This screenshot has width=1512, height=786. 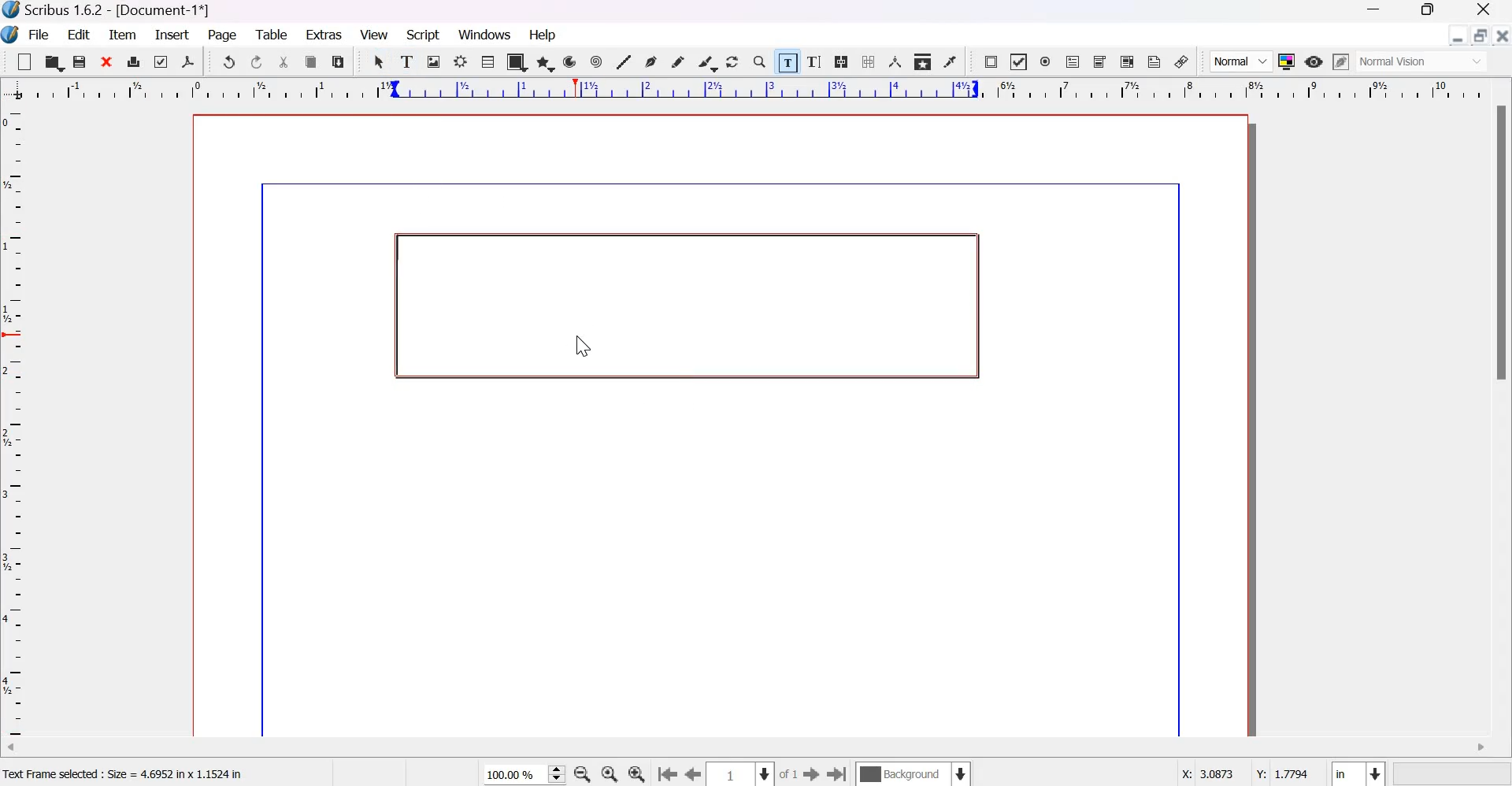 What do you see at coordinates (650, 61) in the screenshot?
I see `Bezier curve` at bounding box center [650, 61].